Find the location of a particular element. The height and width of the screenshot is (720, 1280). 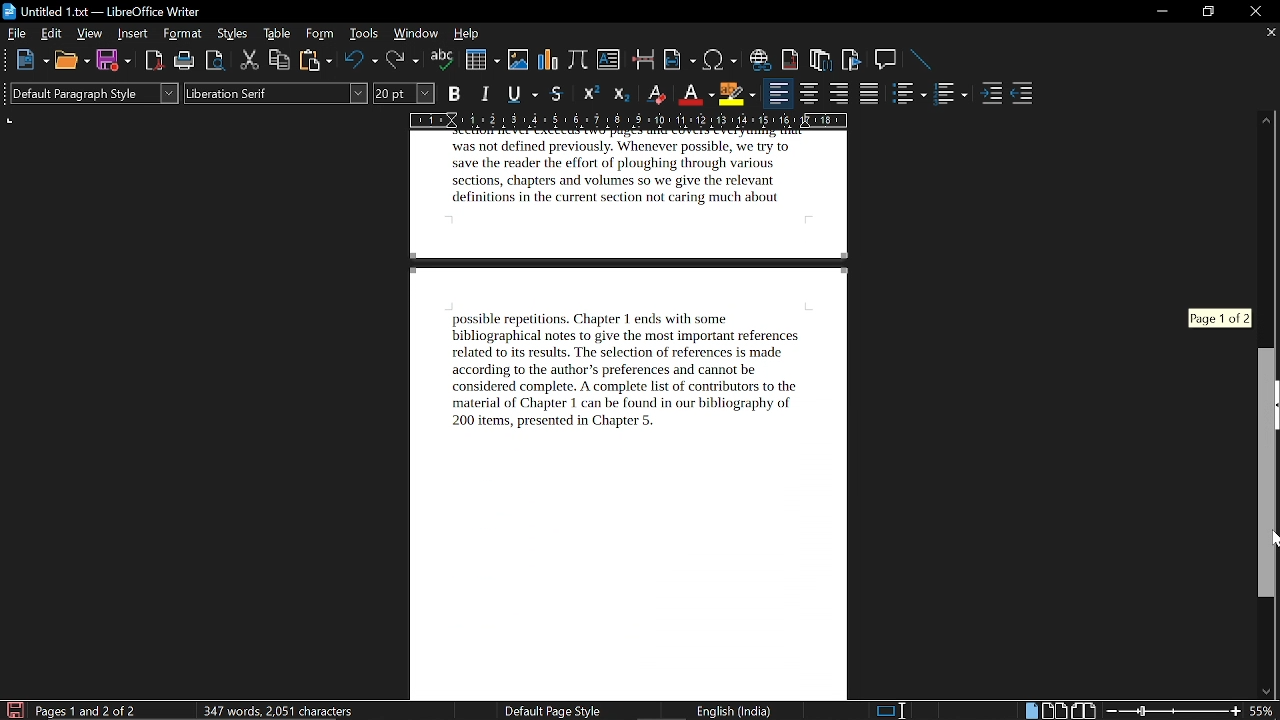

current page is located at coordinates (640, 415).